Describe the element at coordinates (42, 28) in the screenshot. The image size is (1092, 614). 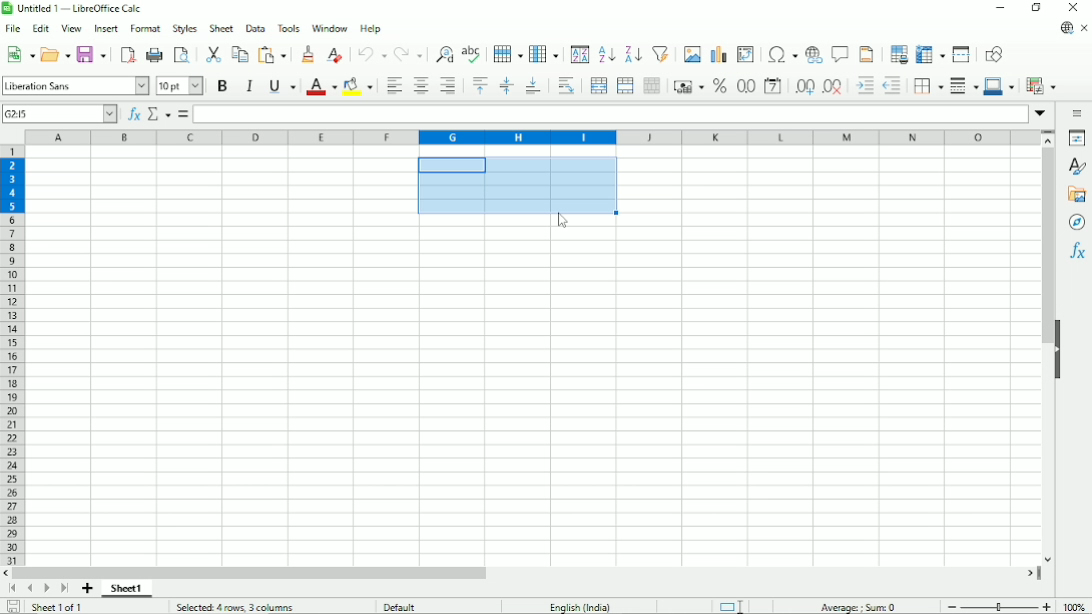
I see `Edit` at that location.